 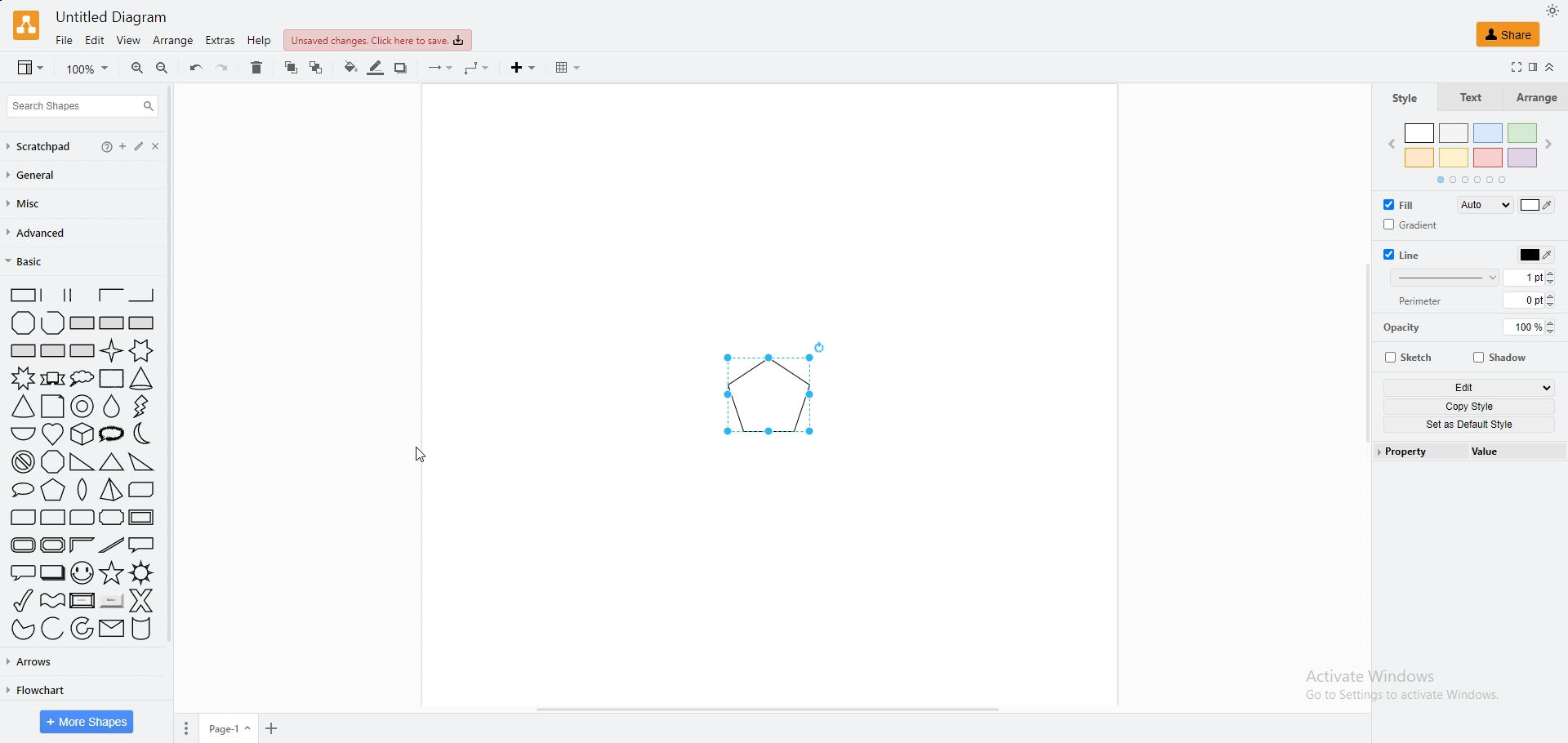 I want to click on plaque, so click(x=112, y=518).